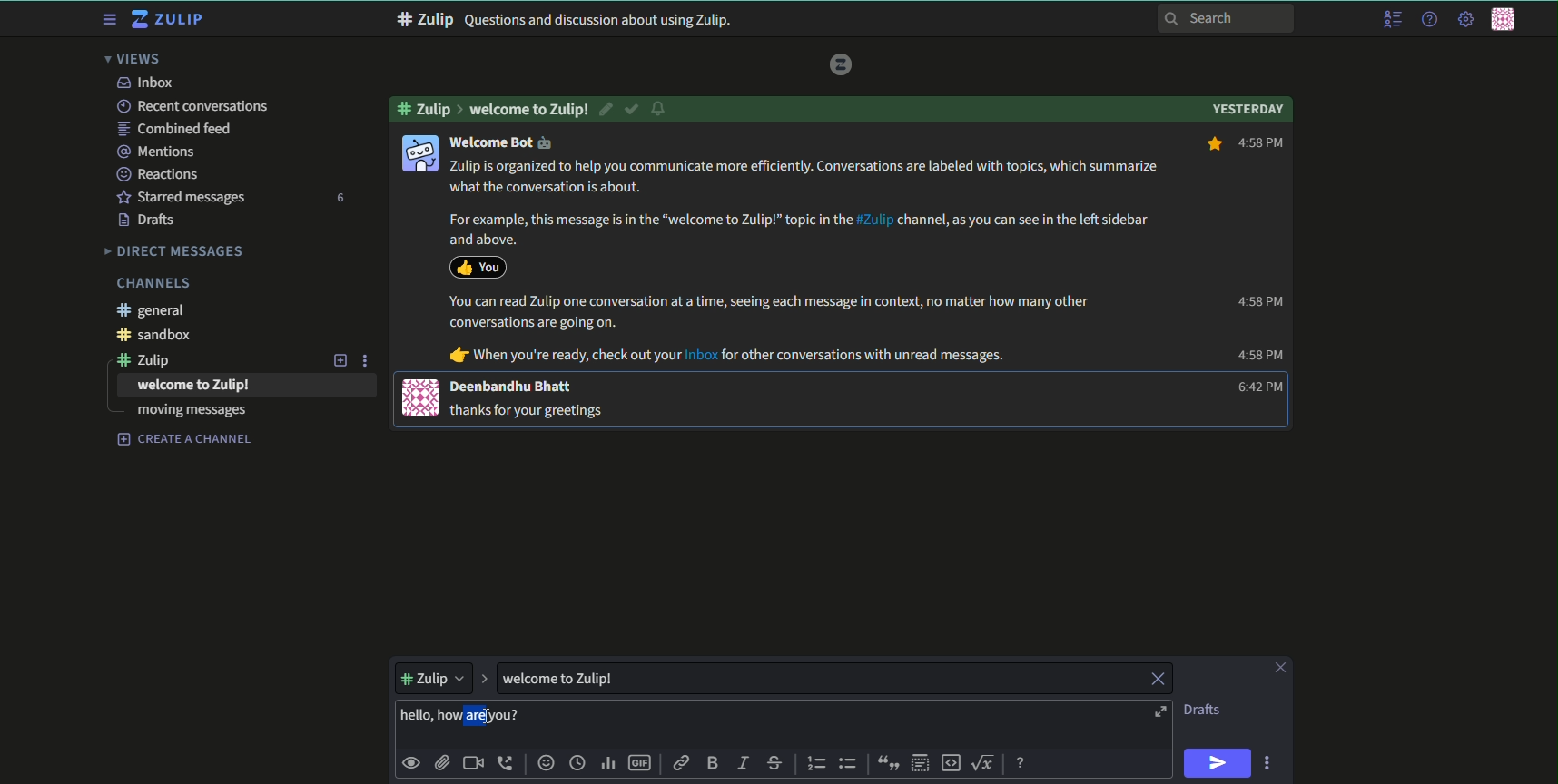  What do you see at coordinates (1255, 387) in the screenshot?
I see `6:42 PM` at bounding box center [1255, 387].